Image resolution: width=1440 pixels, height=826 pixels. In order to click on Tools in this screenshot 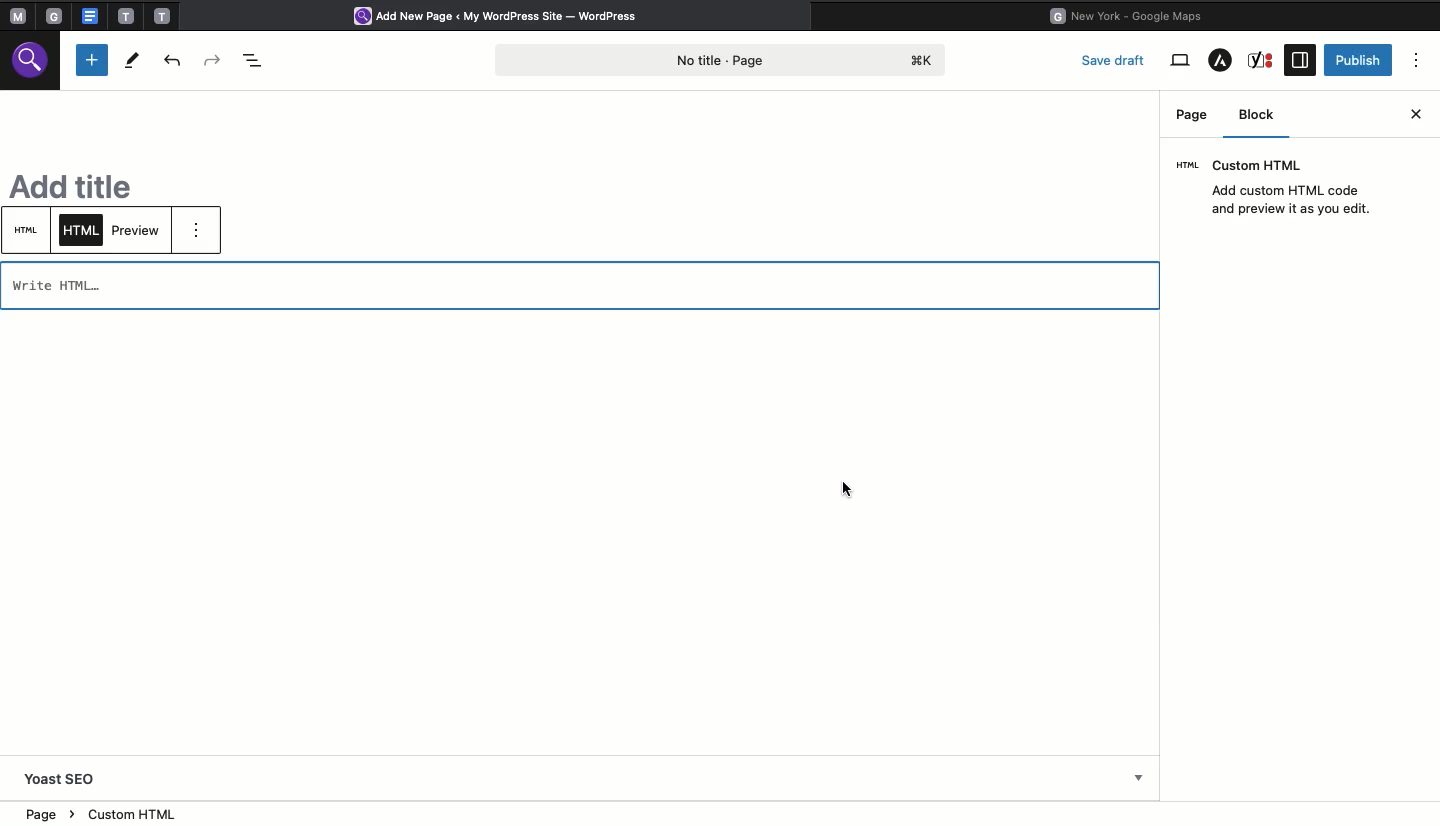, I will do `click(131, 60)`.